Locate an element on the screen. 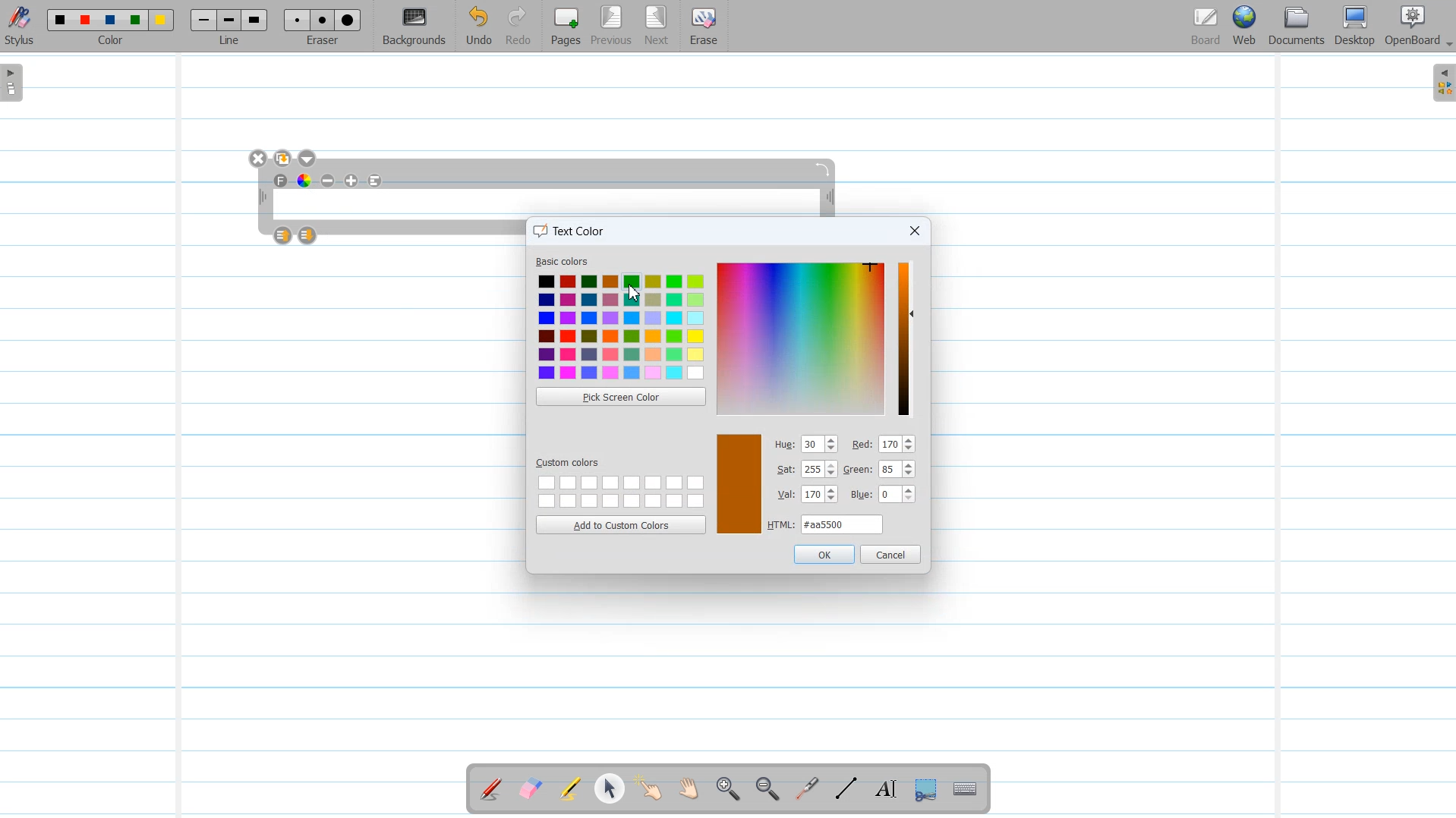 This screenshot has width=1456, height=818. Erase is located at coordinates (702, 27).